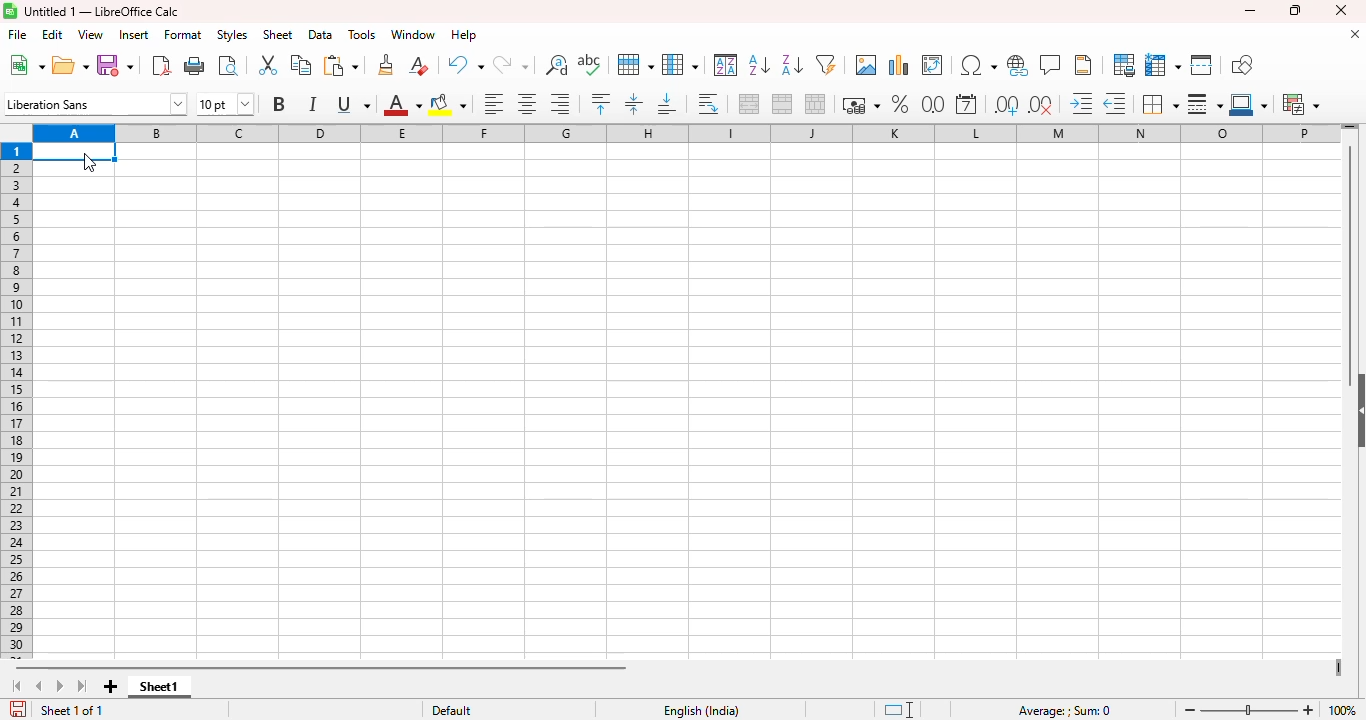 This screenshot has width=1366, height=720. Describe the element at coordinates (1202, 65) in the screenshot. I see `split window` at that location.